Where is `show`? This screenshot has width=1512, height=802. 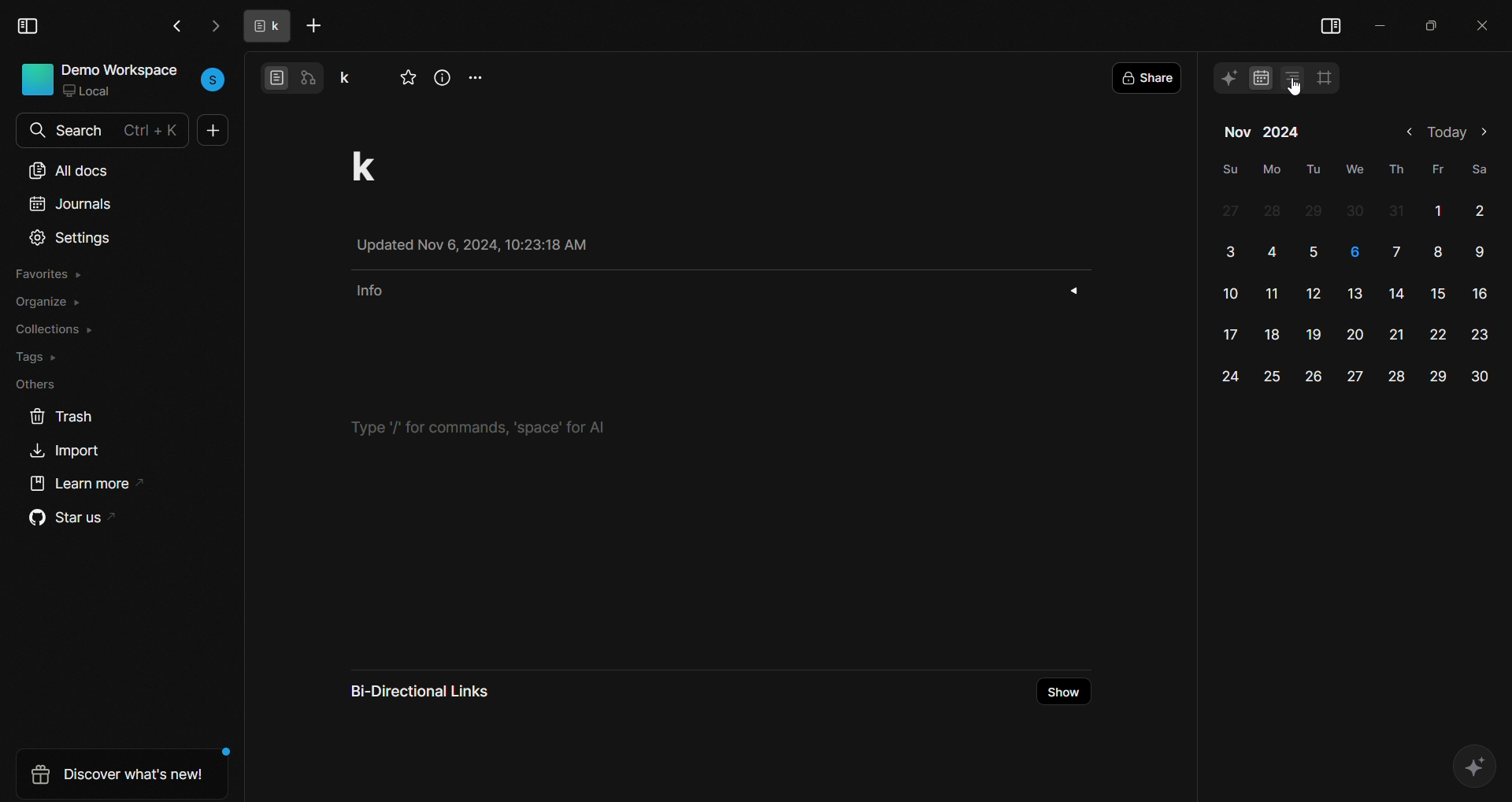 show is located at coordinates (1065, 692).